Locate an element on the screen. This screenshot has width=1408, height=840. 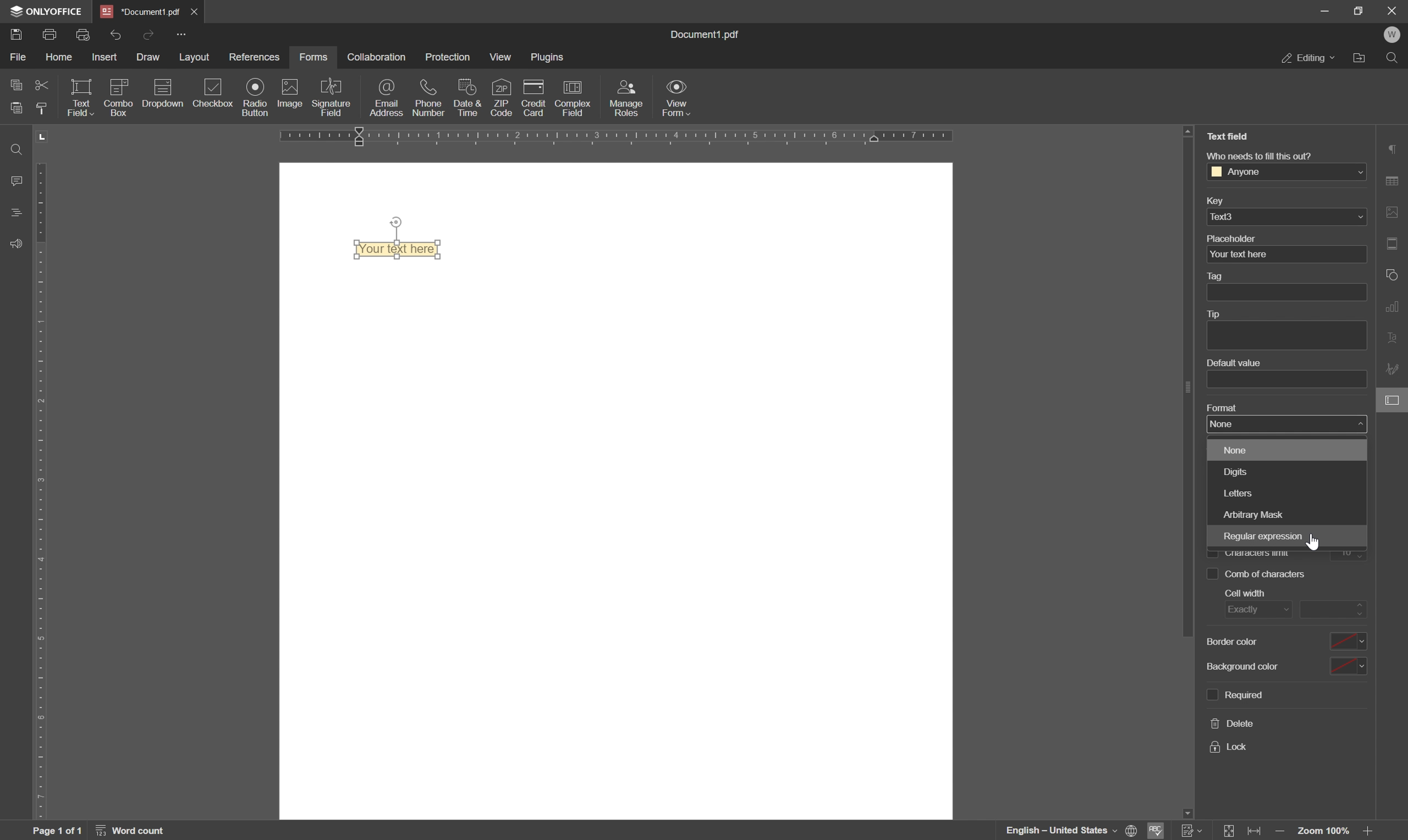
key is located at coordinates (1213, 202).